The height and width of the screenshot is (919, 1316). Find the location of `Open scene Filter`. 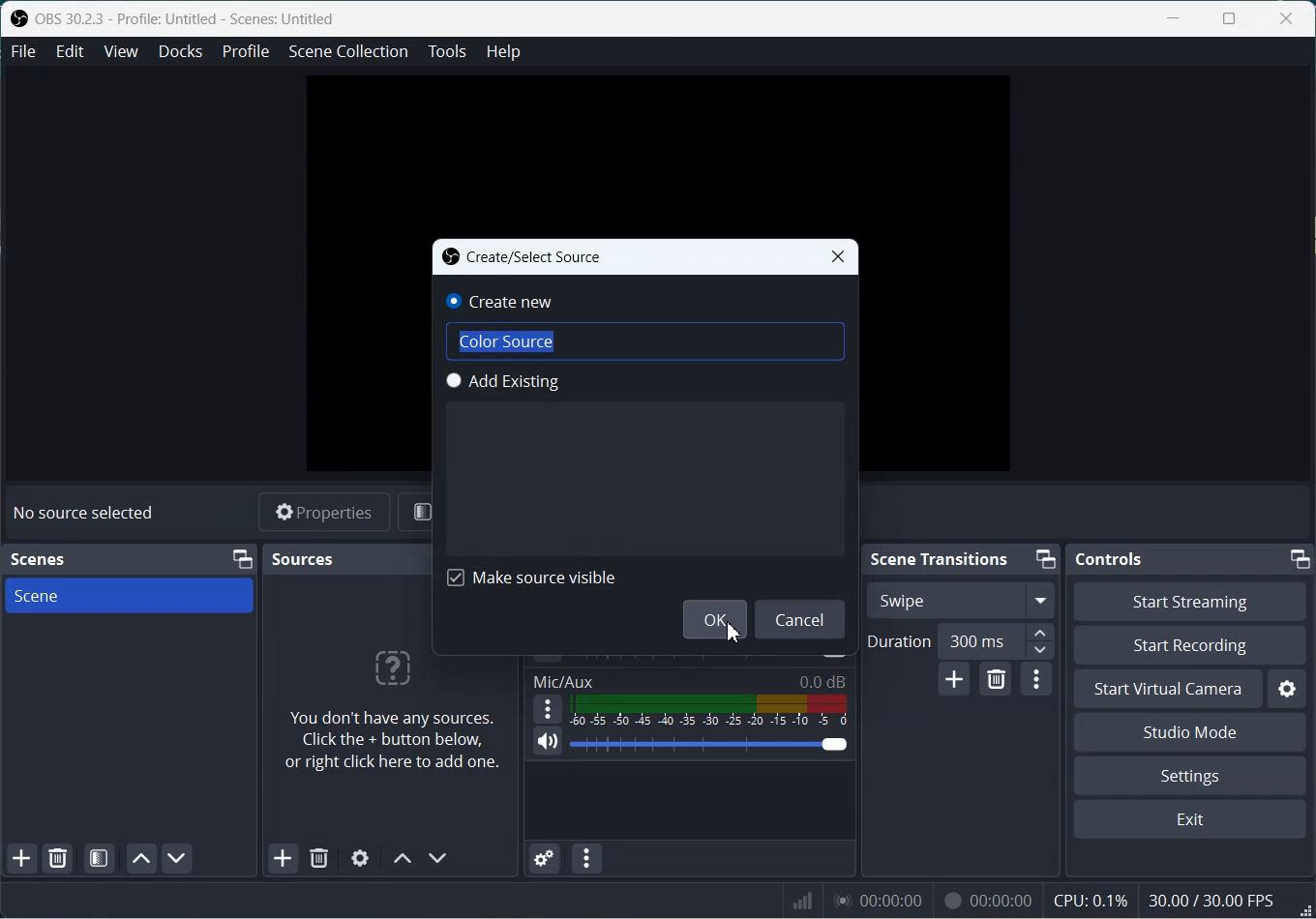

Open scene Filter is located at coordinates (99, 858).